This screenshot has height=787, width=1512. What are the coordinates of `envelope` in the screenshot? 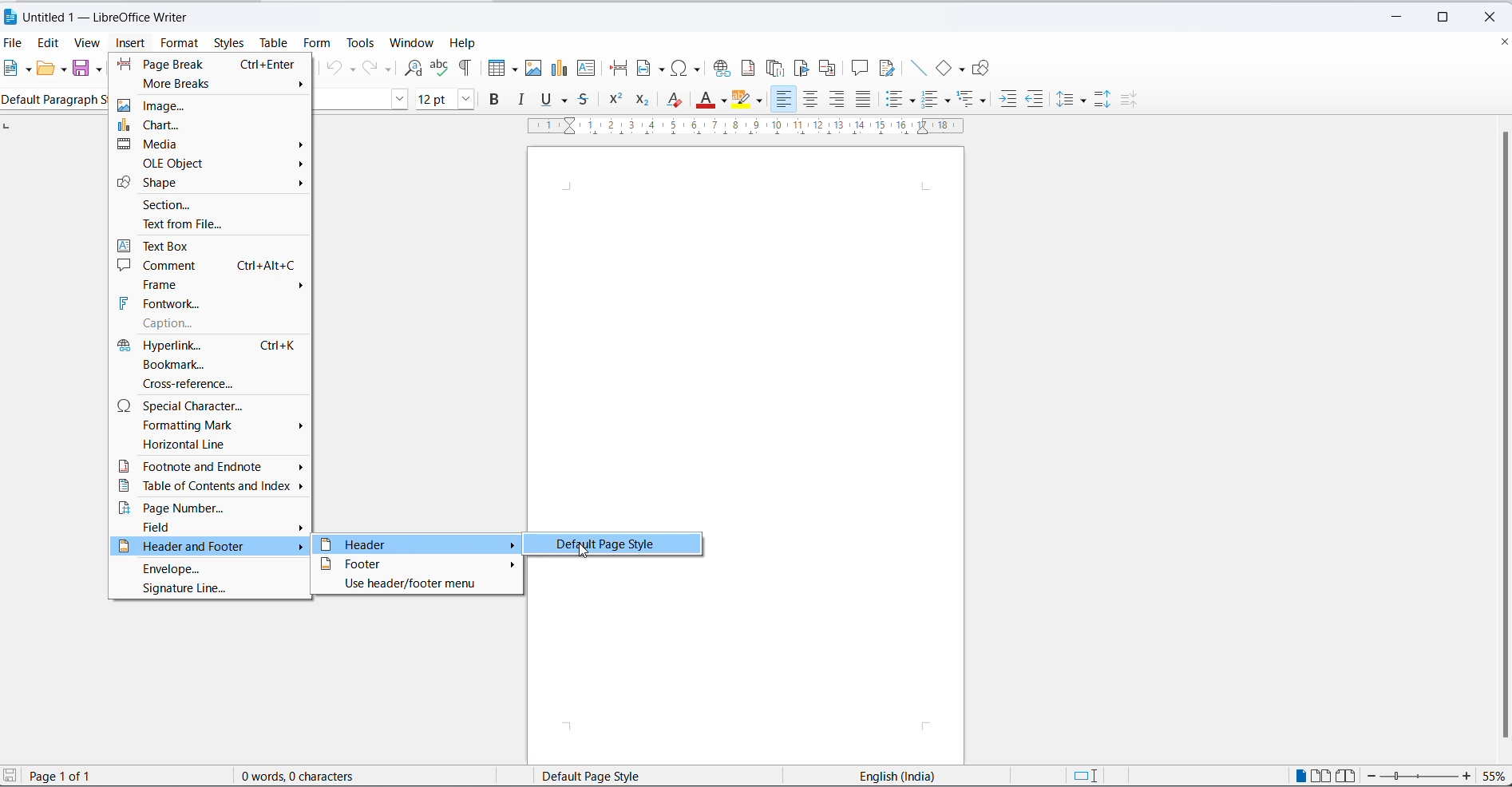 It's located at (212, 569).